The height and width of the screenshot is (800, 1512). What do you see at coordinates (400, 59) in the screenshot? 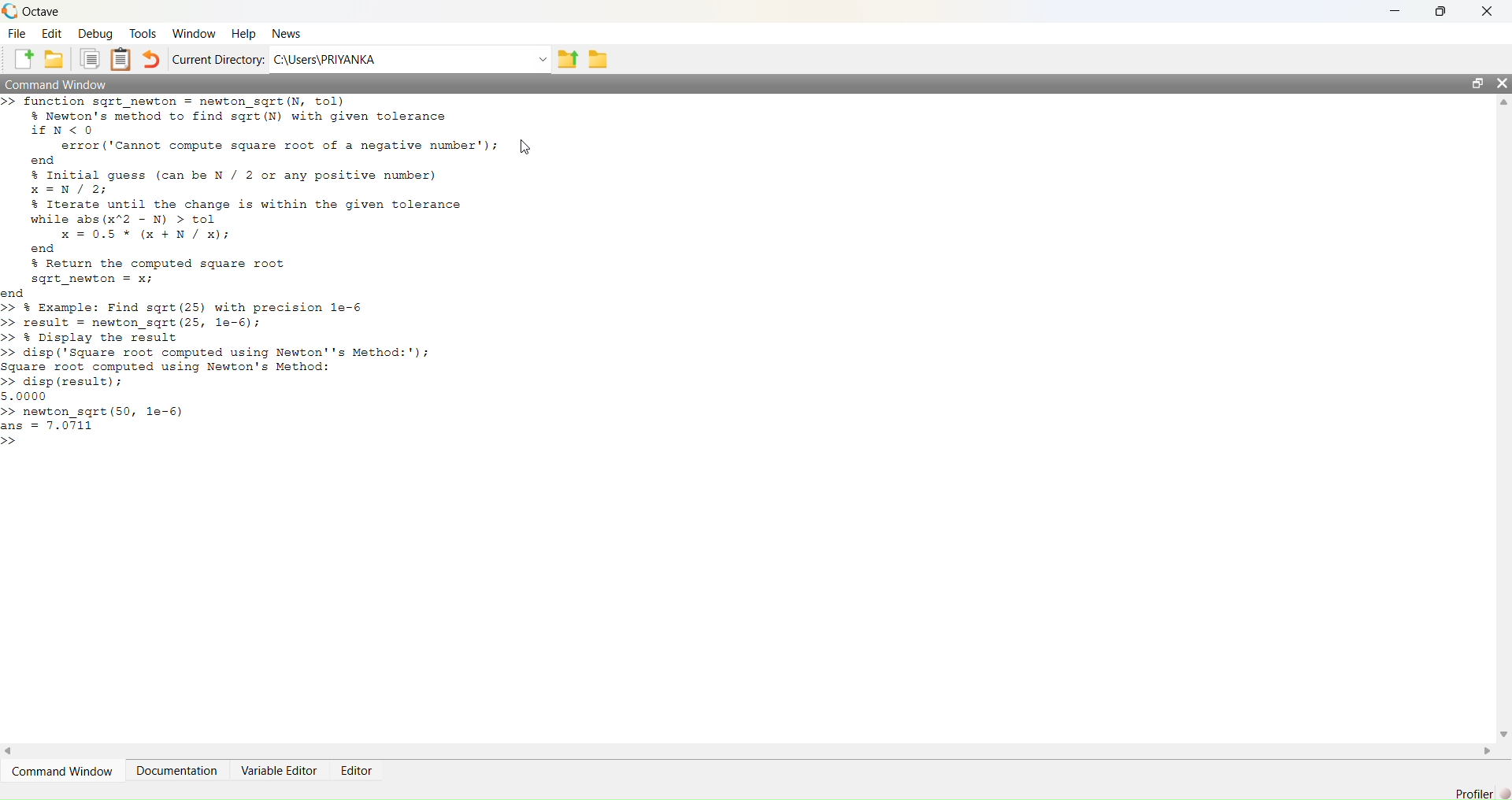
I see `C:/Users?PRIYANKA` at bounding box center [400, 59].